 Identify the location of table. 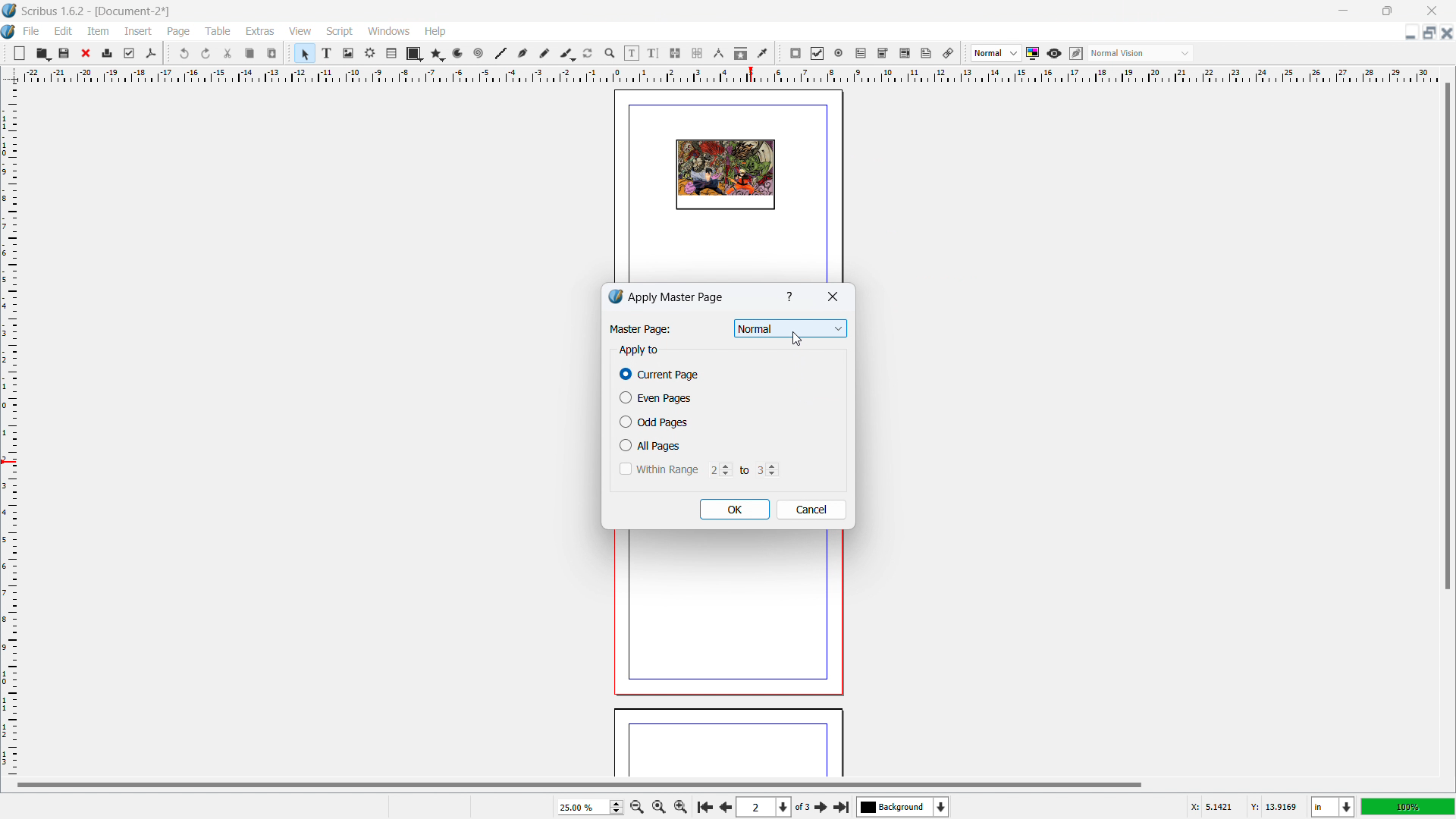
(392, 54).